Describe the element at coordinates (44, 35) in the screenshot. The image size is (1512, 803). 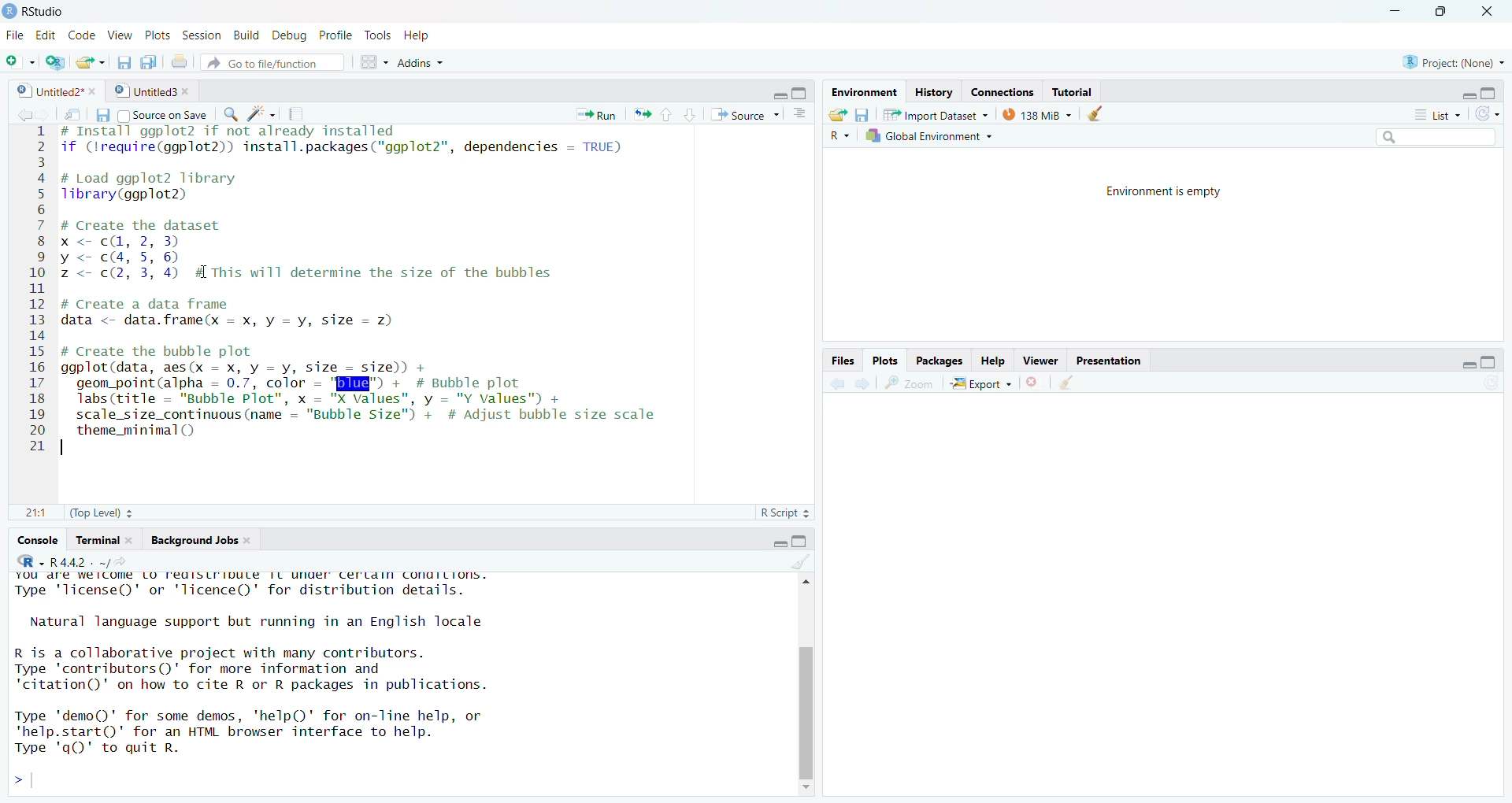
I see `Edit` at that location.